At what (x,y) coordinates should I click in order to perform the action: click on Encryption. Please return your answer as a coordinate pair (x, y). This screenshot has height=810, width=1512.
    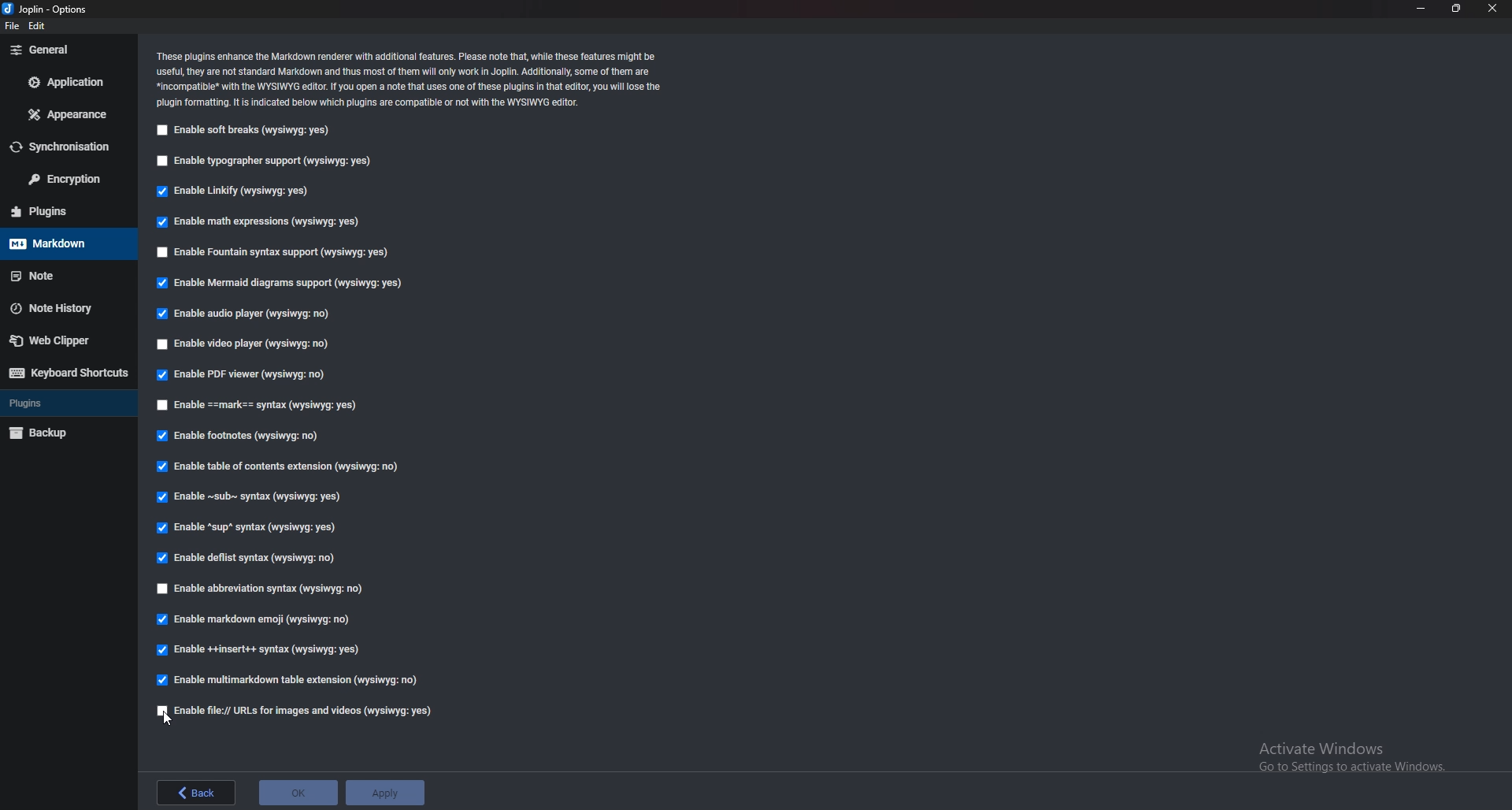
    Looking at the image, I should click on (61, 179).